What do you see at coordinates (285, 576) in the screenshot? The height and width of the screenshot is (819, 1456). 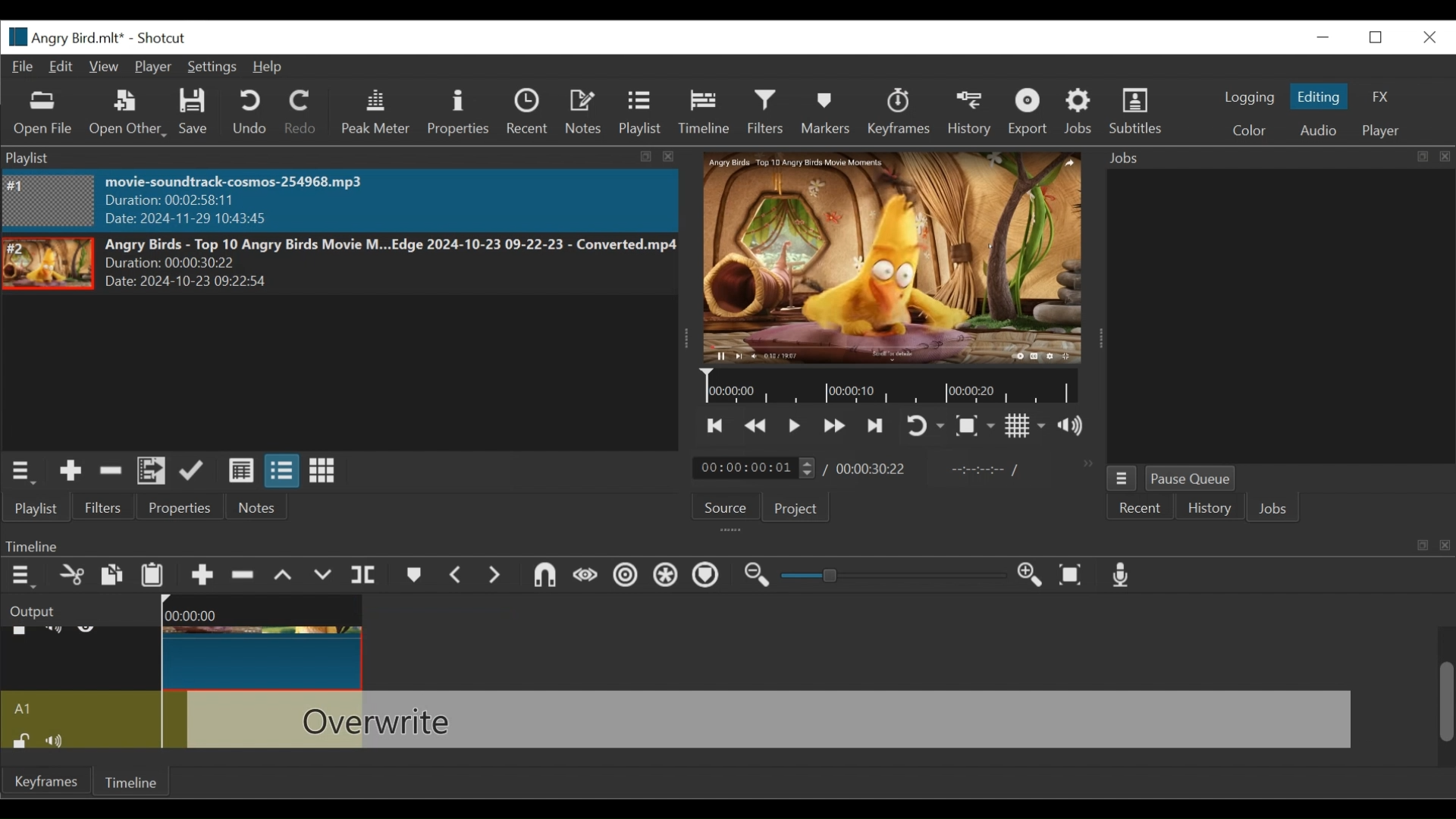 I see `Lift` at bounding box center [285, 576].